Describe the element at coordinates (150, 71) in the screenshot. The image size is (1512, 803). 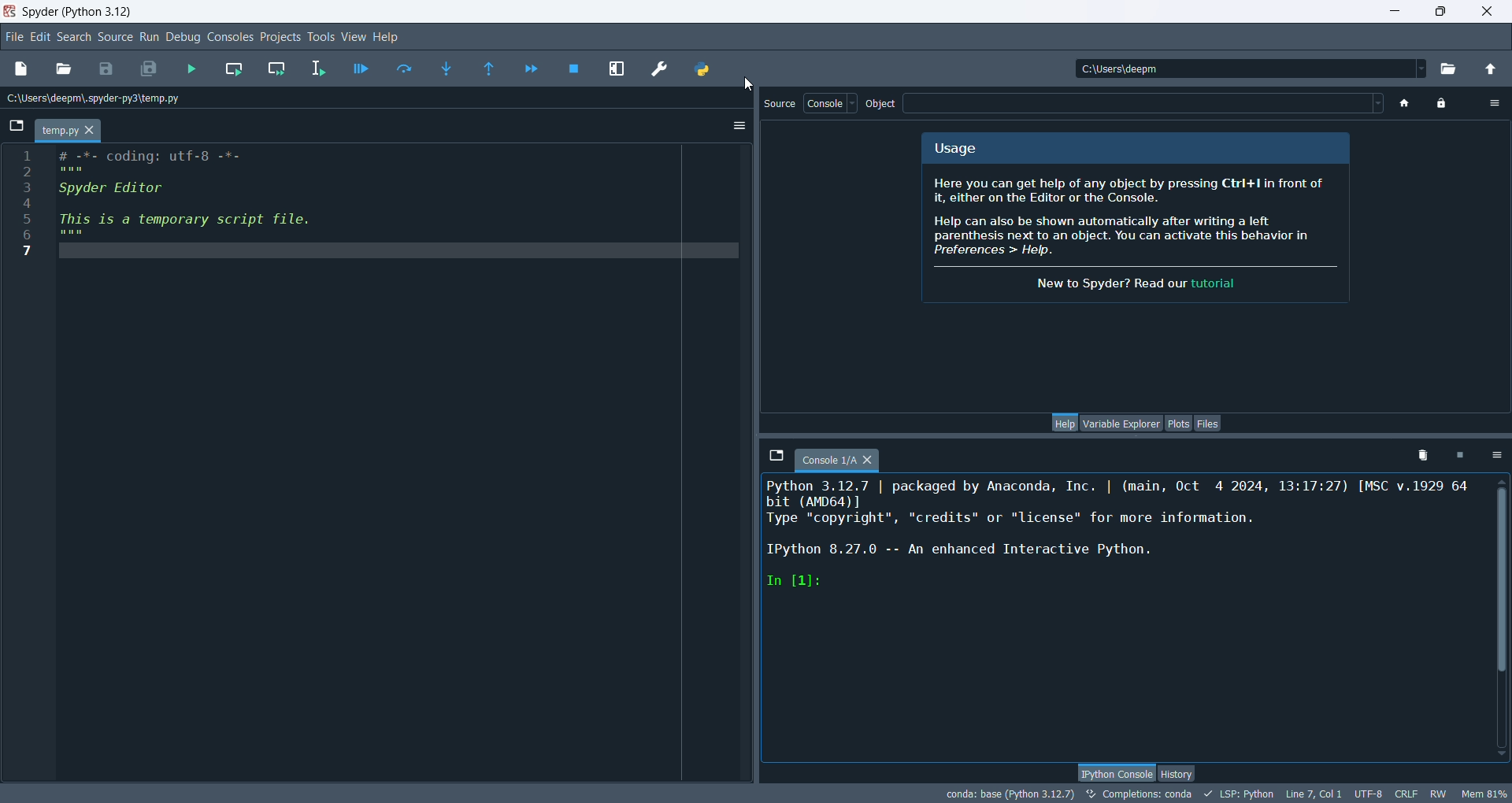
I see `save all files` at that location.